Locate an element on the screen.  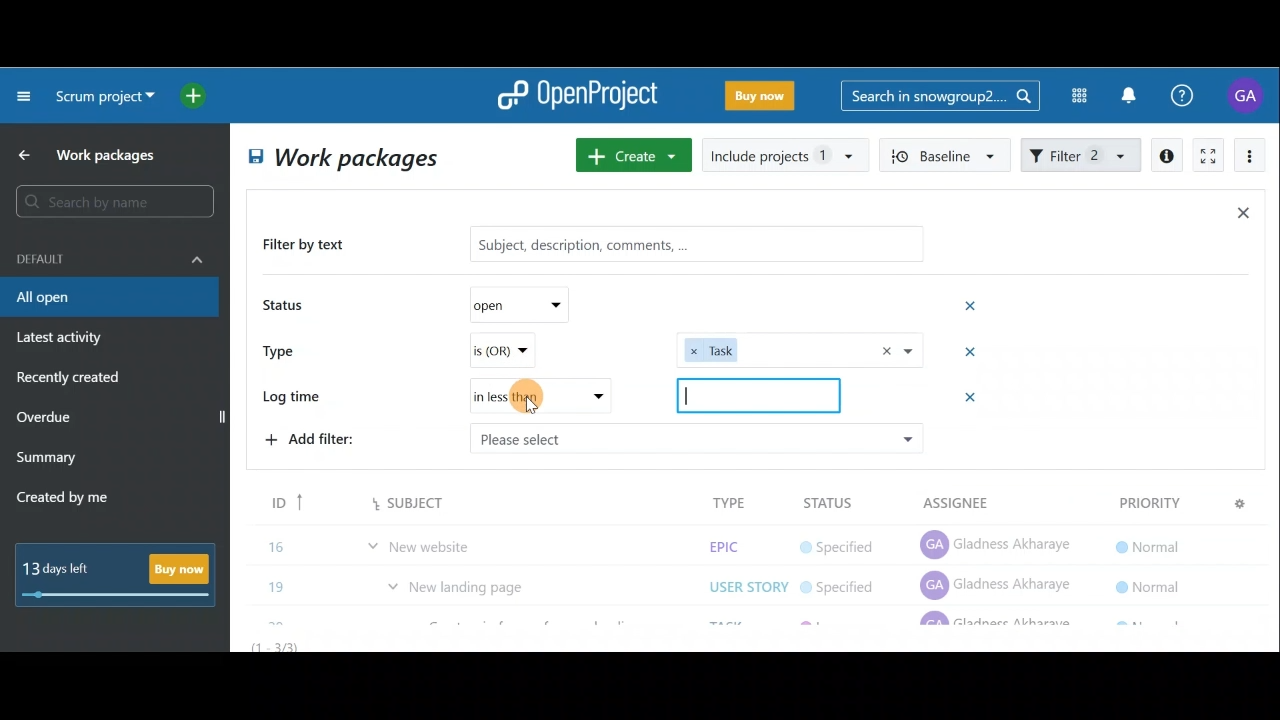
More actions is located at coordinates (1250, 159).